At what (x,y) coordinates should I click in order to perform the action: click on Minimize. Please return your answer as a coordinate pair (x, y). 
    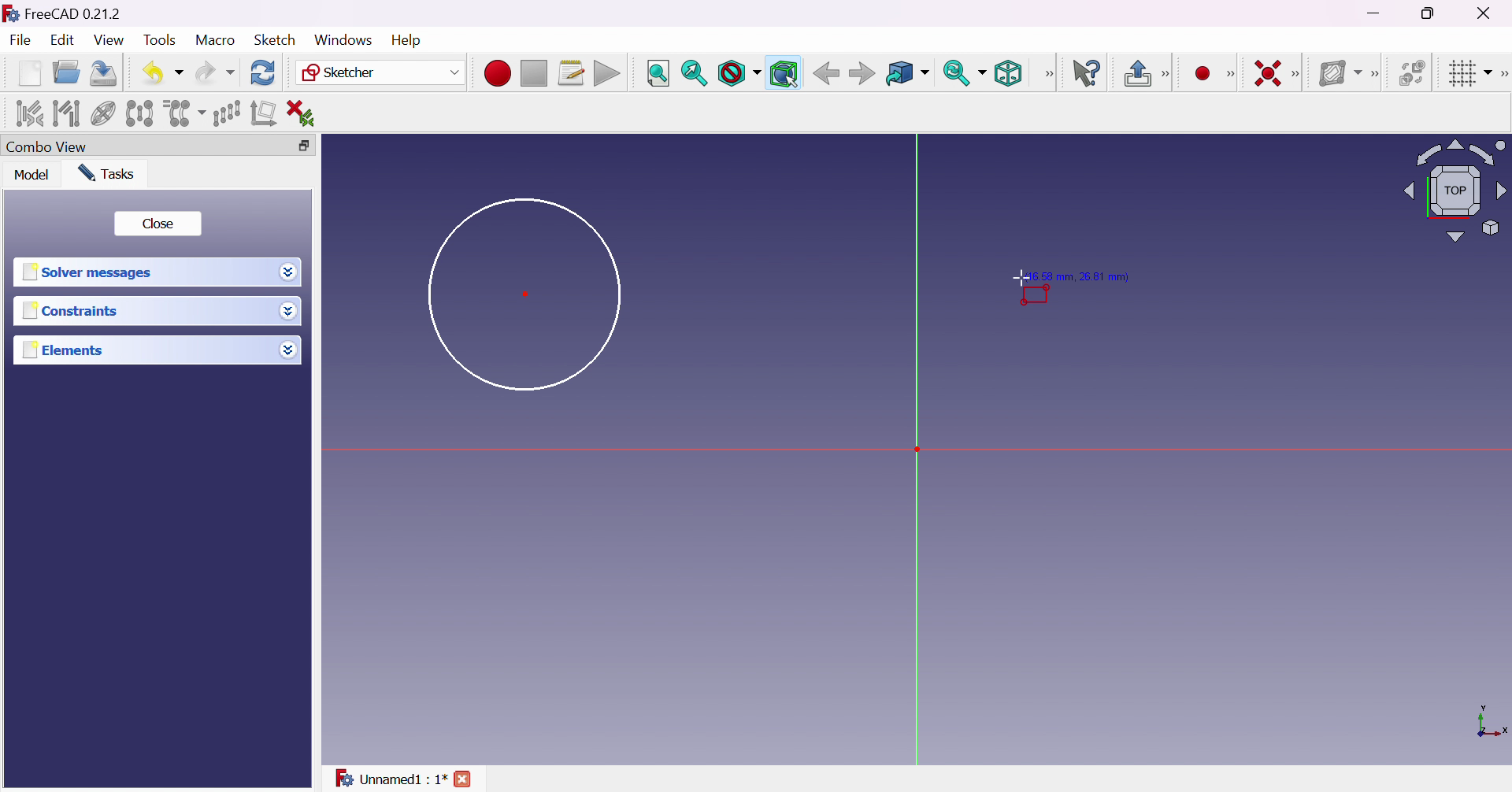
    Looking at the image, I should click on (1377, 13).